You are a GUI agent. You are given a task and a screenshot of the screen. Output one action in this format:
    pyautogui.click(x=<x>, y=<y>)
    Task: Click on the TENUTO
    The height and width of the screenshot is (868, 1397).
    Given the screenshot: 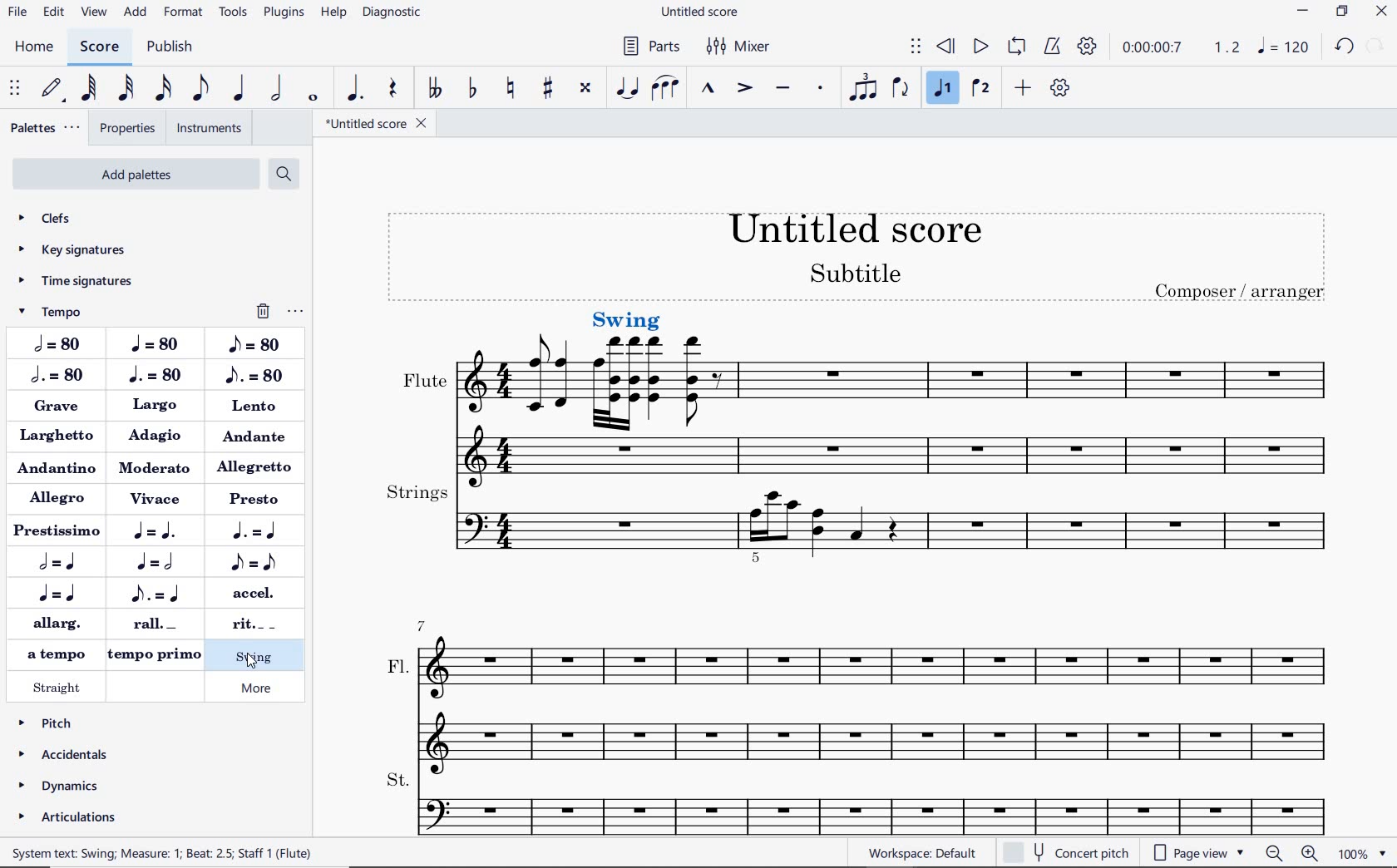 What is the action you would take?
    pyautogui.click(x=785, y=89)
    